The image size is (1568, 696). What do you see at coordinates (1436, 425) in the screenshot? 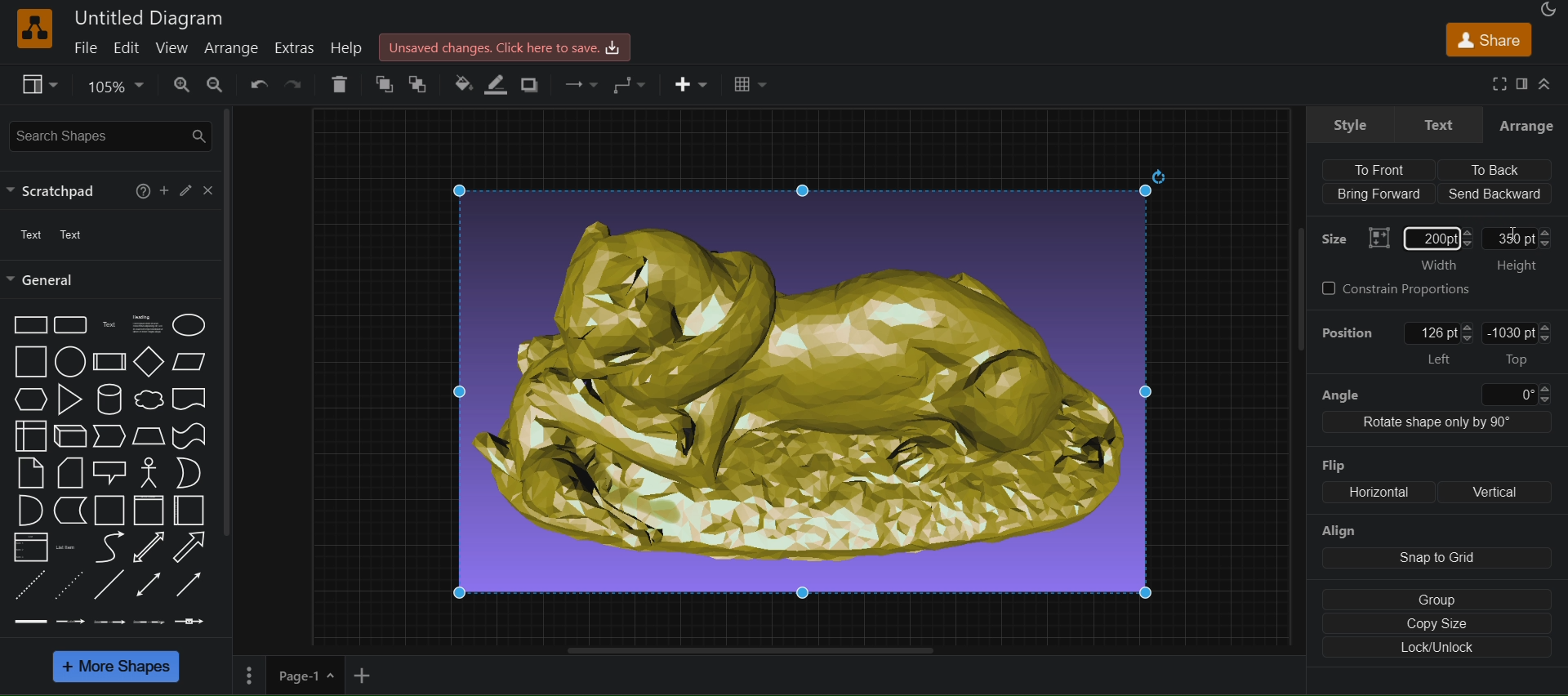
I see `Rotate shape only by 90 degree` at bounding box center [1436, 425].